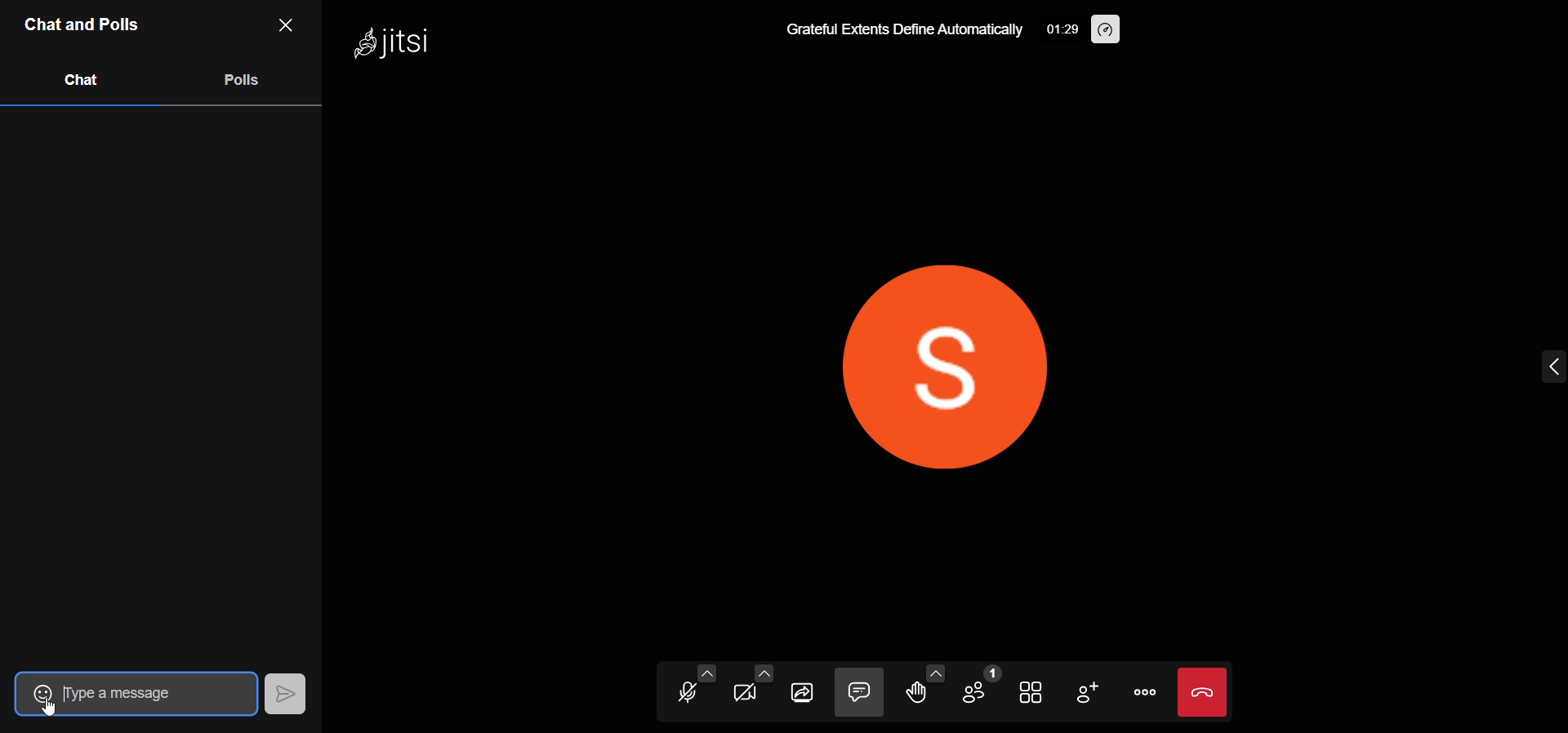 Image resolution: width=1568 pixels, height=733 pixels. What do you see at coordinates (938, 670) in the screenshot?
I see `more emoji` at bounding box center [938, 670].